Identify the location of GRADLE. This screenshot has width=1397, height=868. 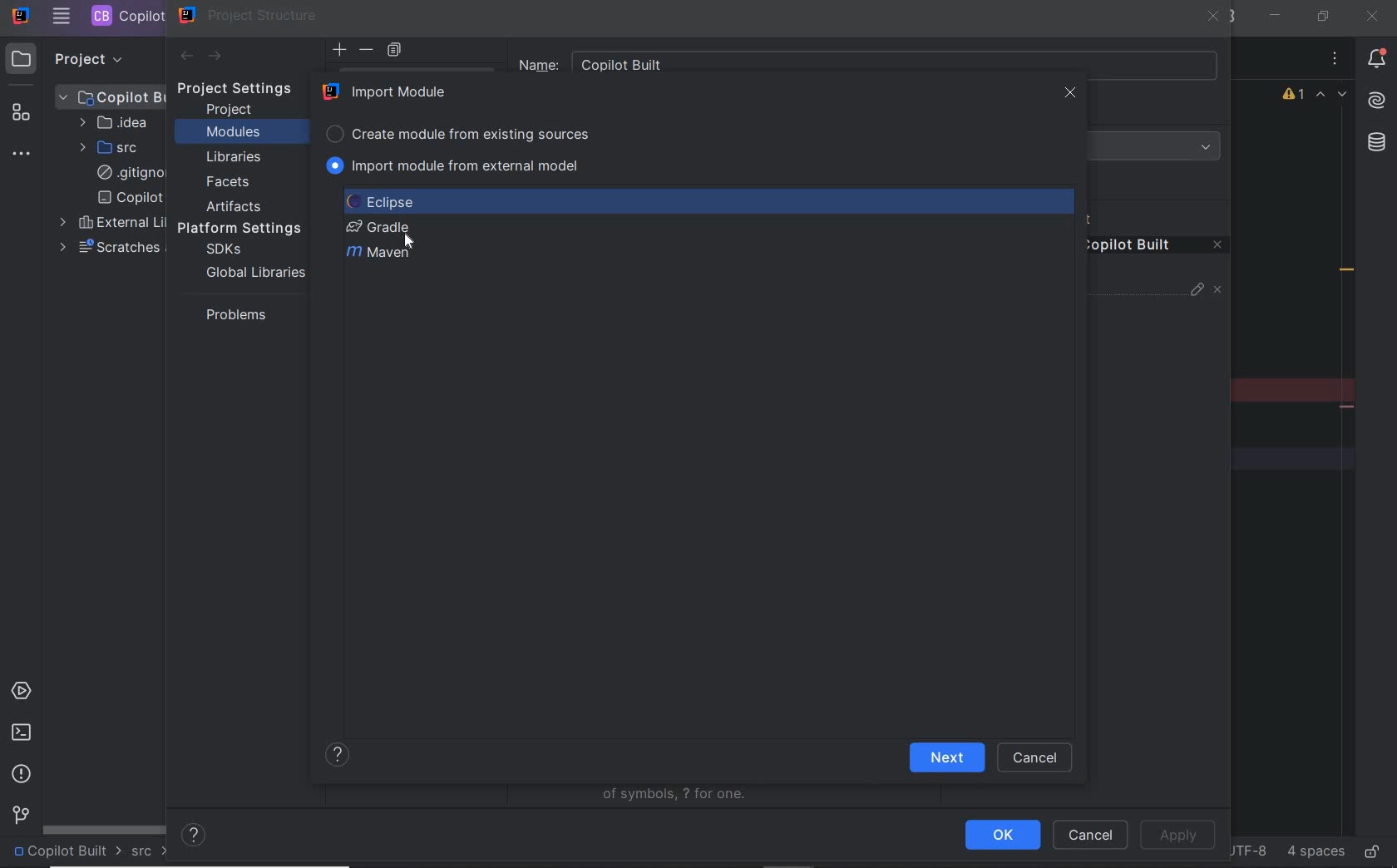
(378, 227).